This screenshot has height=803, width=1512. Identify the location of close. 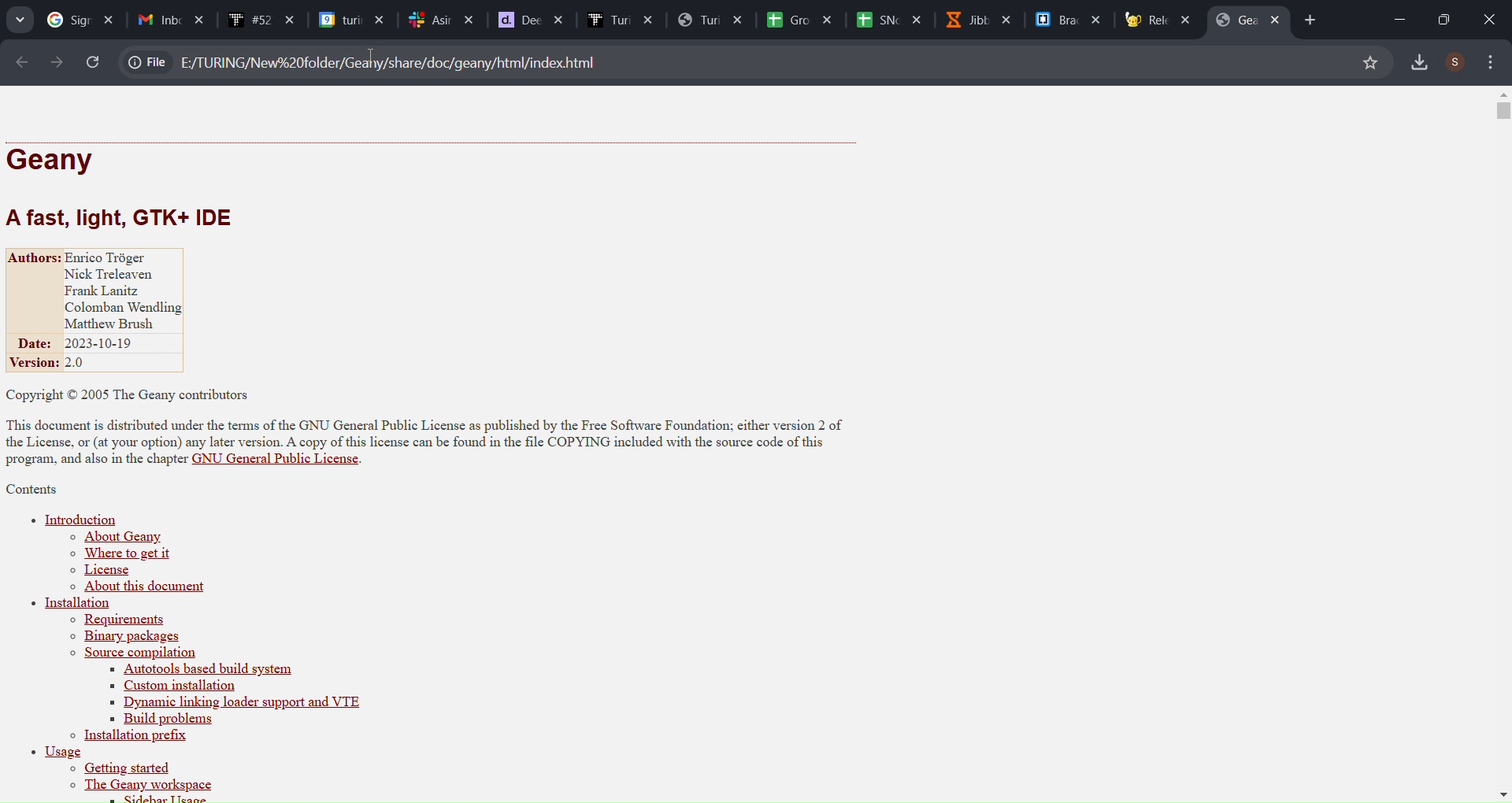
(1489, 18).